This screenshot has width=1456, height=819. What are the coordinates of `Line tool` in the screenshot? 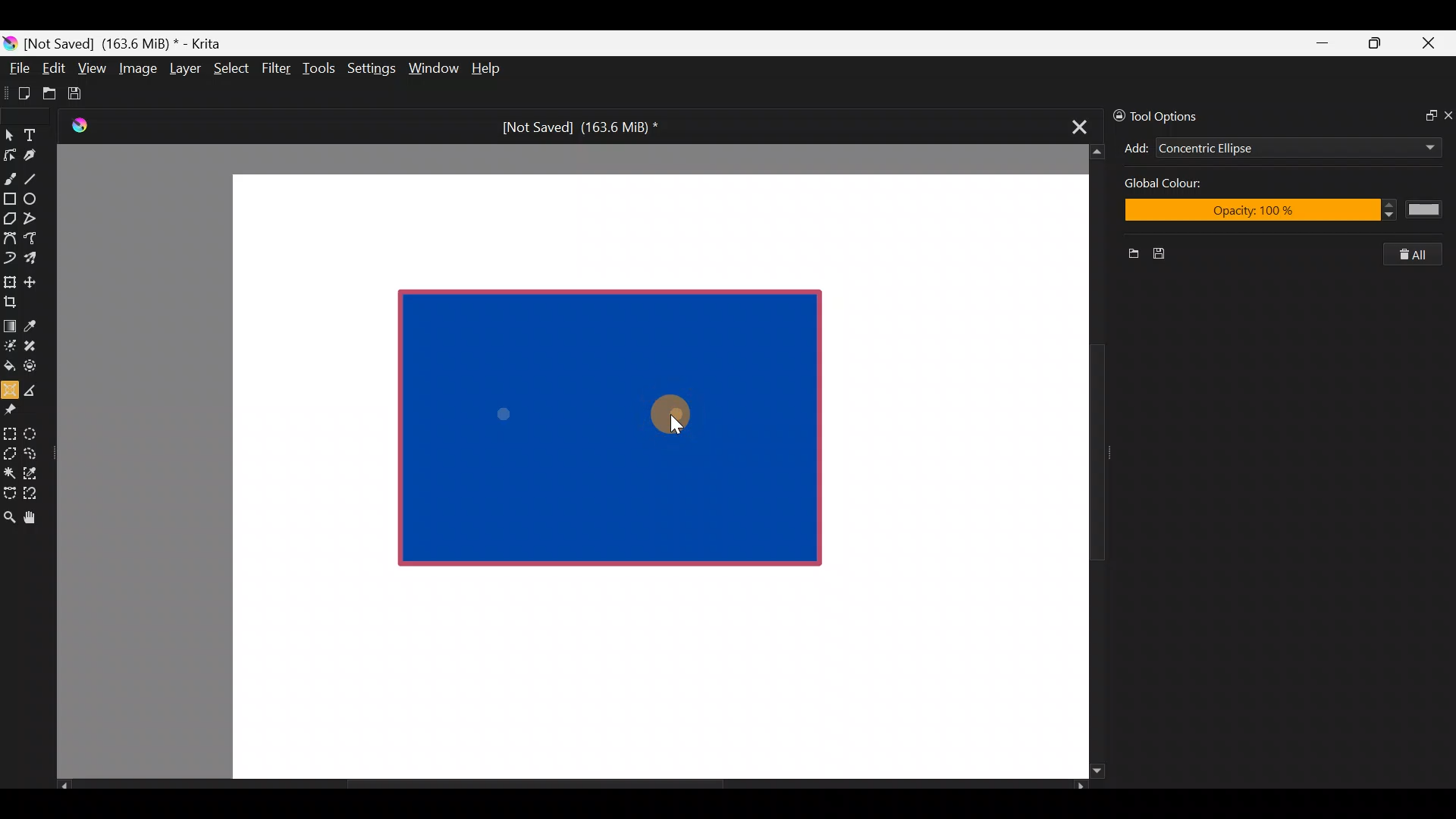 It's located at (40, 177).